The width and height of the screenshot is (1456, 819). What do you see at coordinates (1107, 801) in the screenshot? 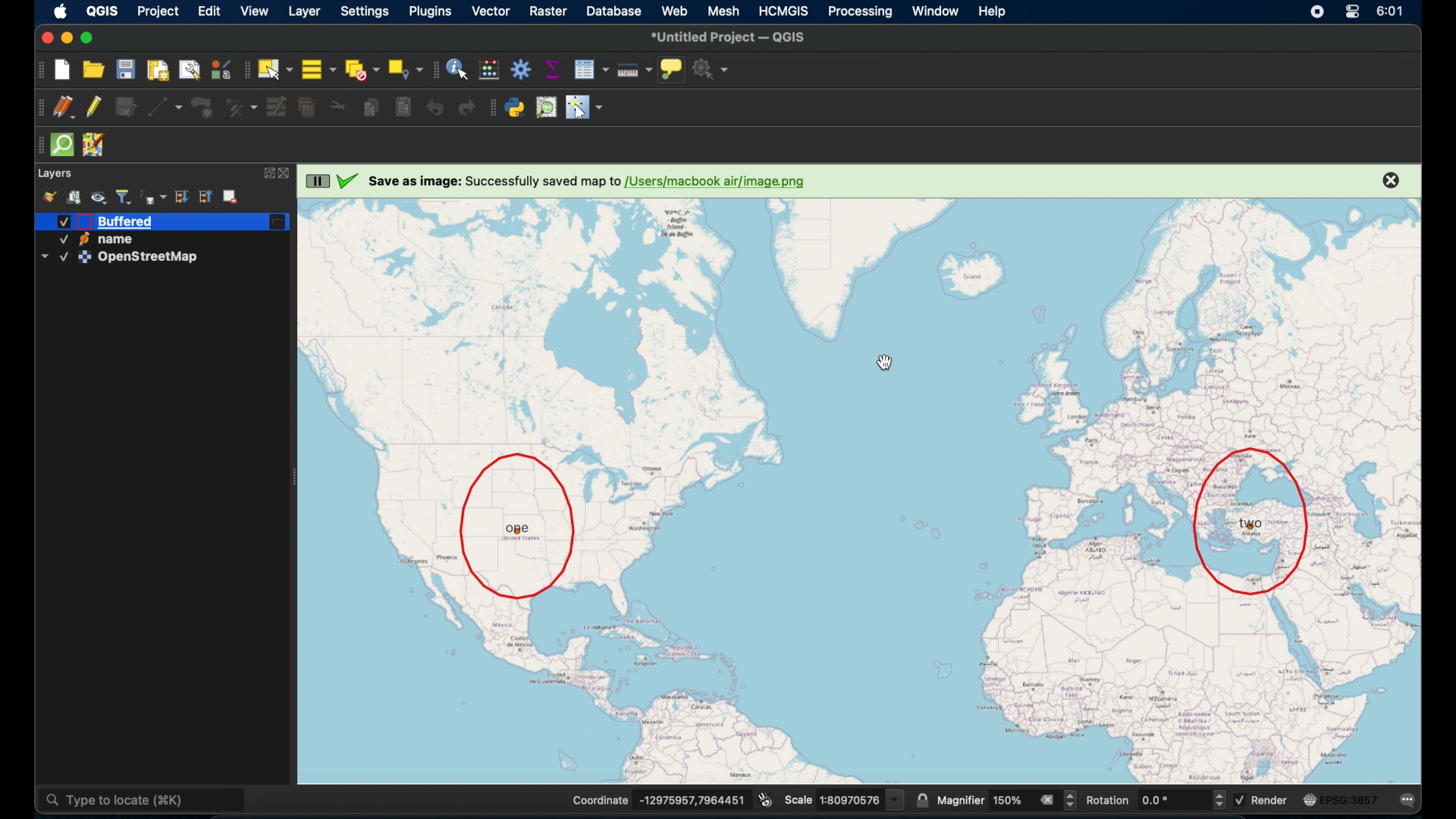
I see `rotation` at bounding box center [1107, 801].